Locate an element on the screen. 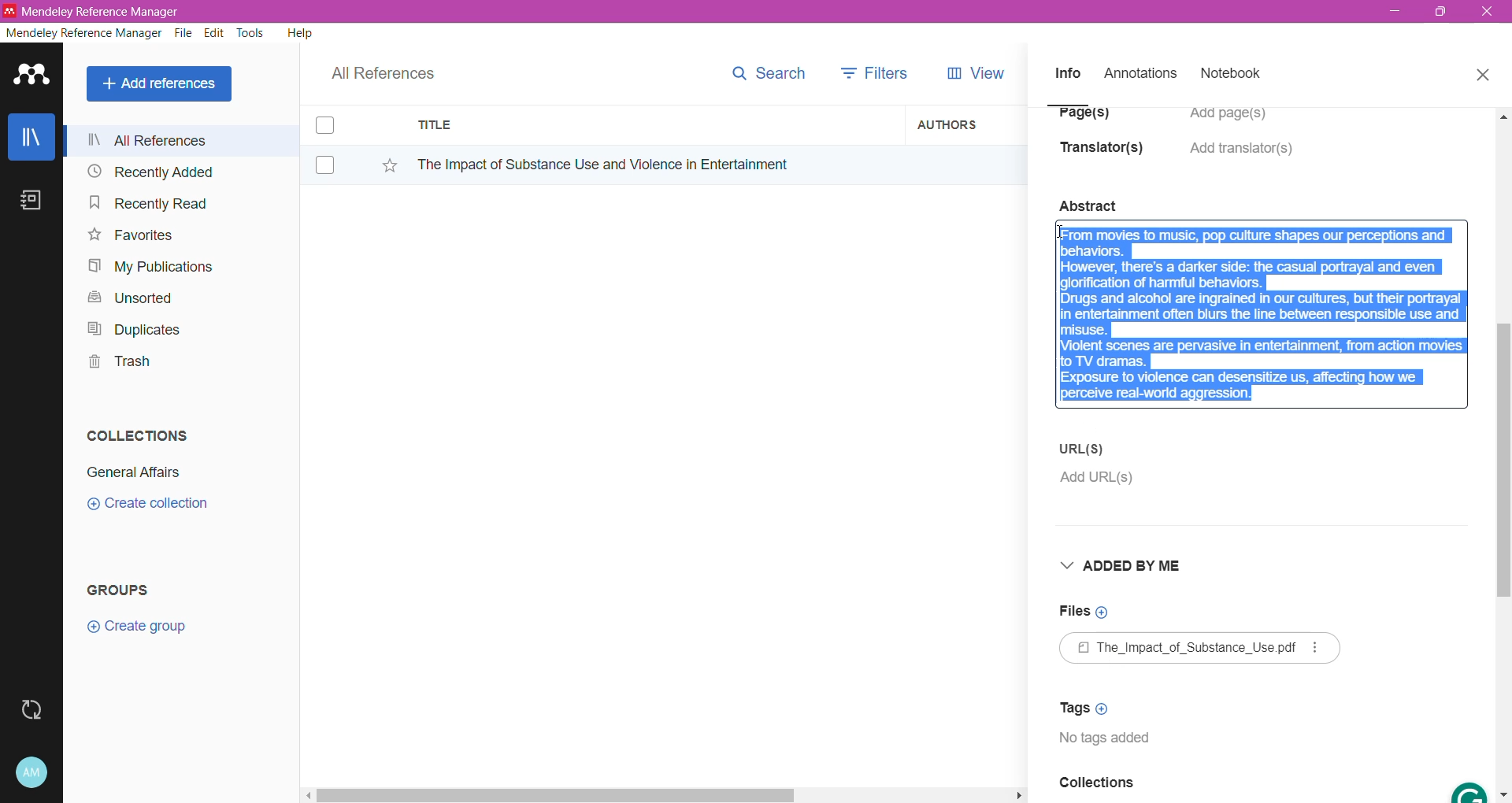 The image size is (1512, 803). Restore Down is located at coordinates (1442, 13).